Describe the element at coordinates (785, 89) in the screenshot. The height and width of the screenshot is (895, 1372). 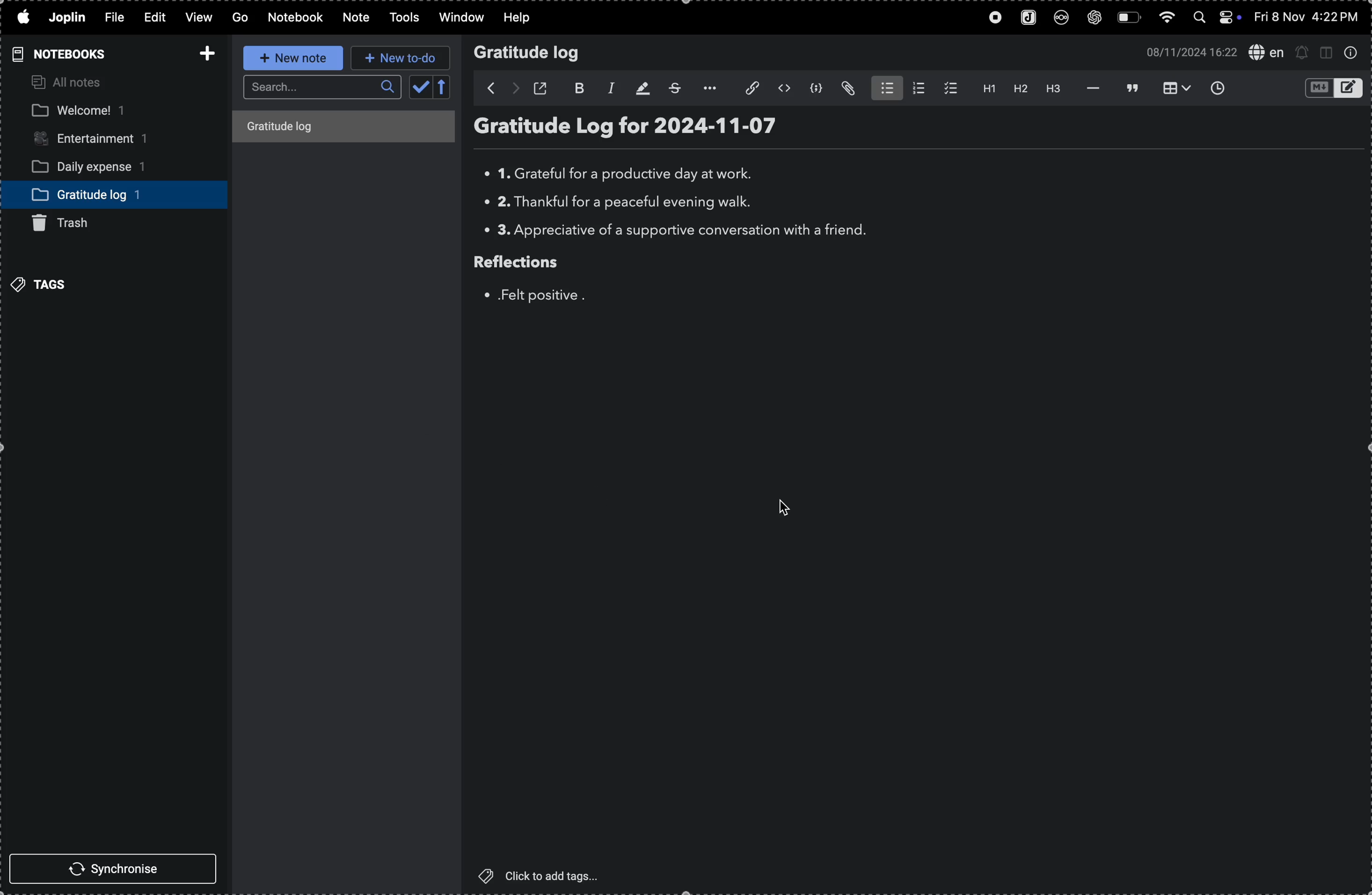
I see `inline code` at that location.